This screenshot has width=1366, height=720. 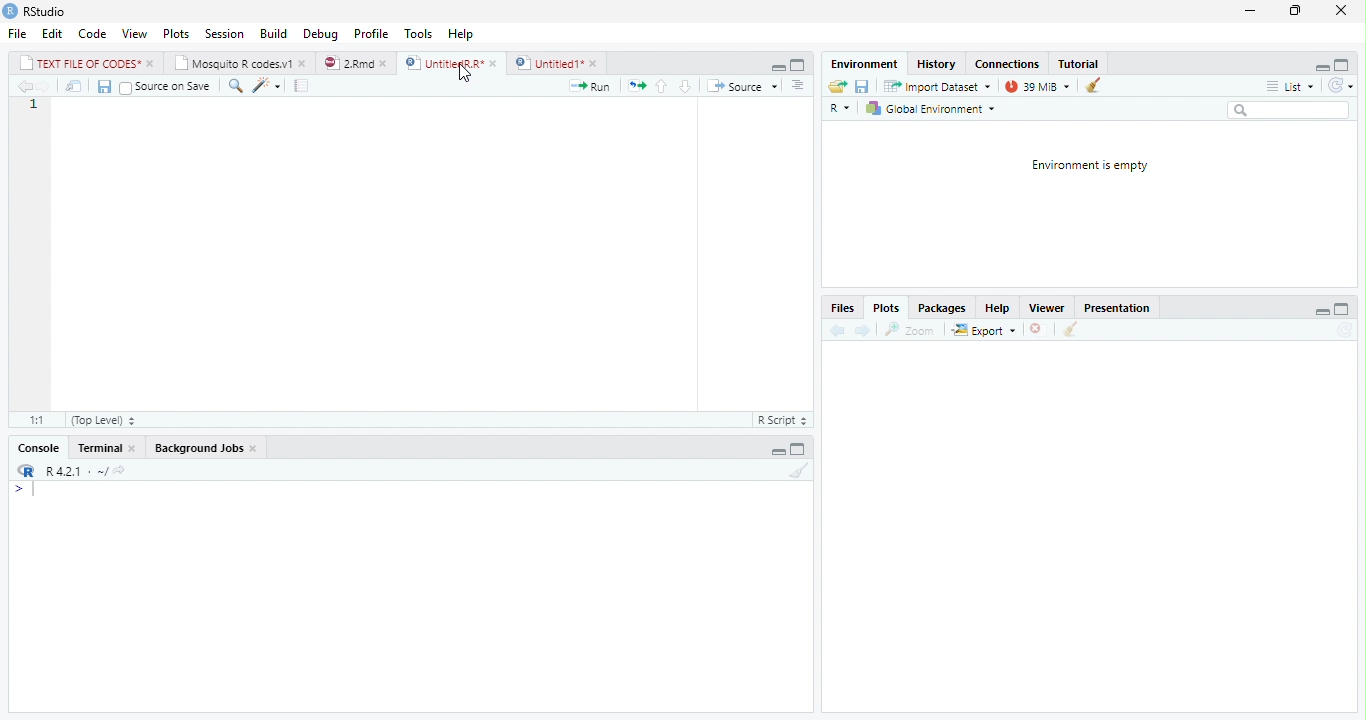 I want to click on Plots, so click(x=885, y=308).